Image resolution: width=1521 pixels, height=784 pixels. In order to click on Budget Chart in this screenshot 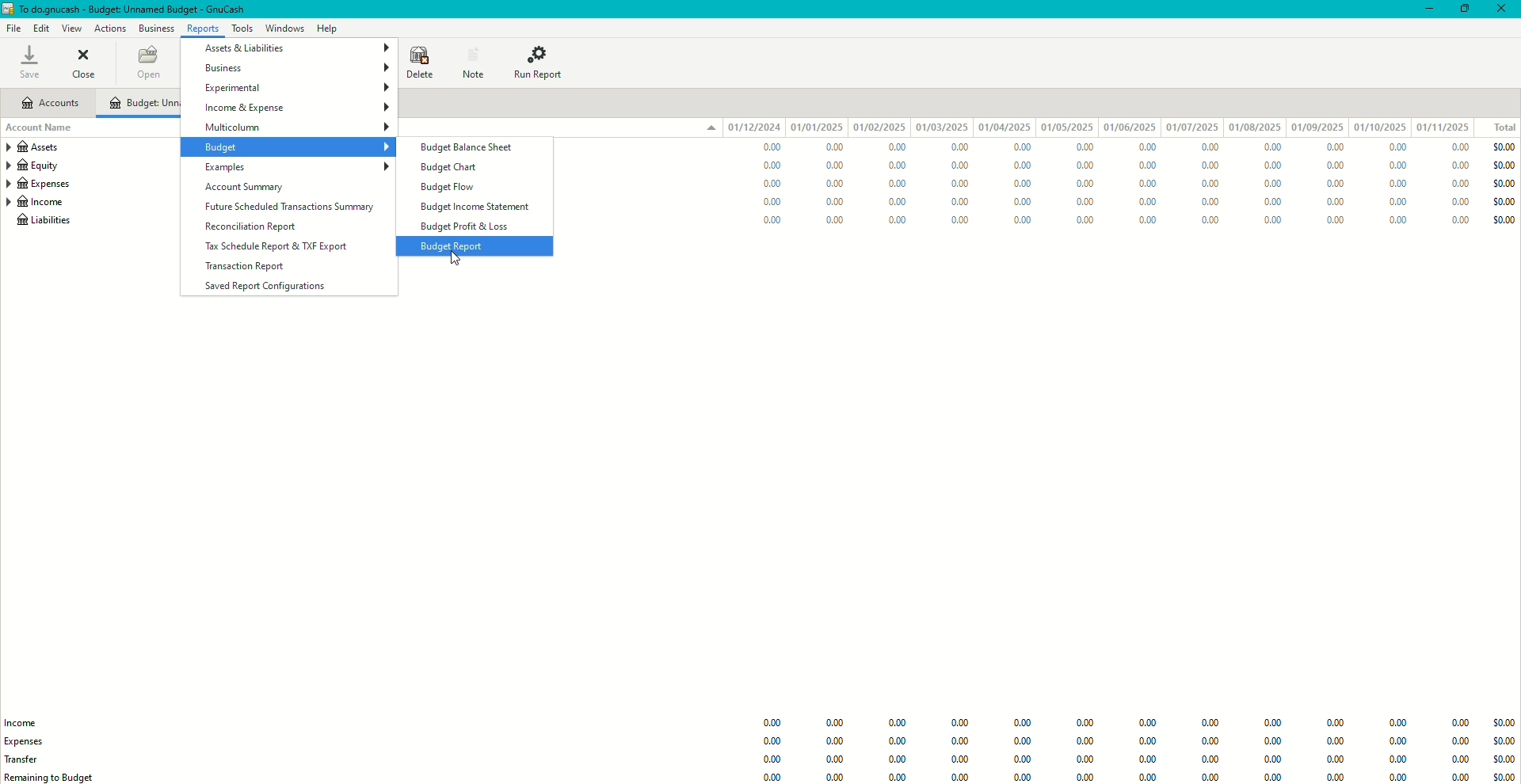, I will do `click(450, 167)`.